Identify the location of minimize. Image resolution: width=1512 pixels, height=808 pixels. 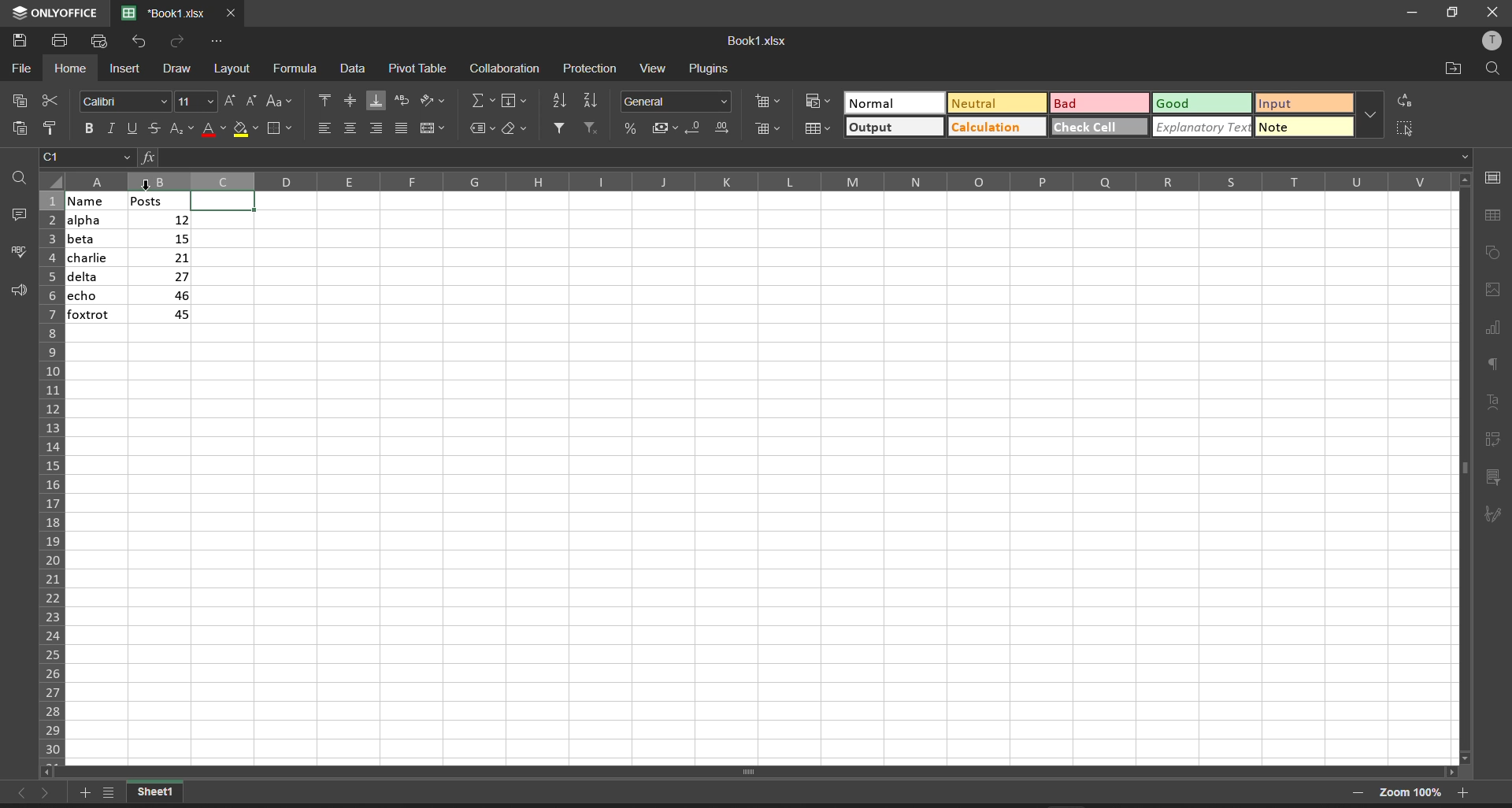
(1414, 12).